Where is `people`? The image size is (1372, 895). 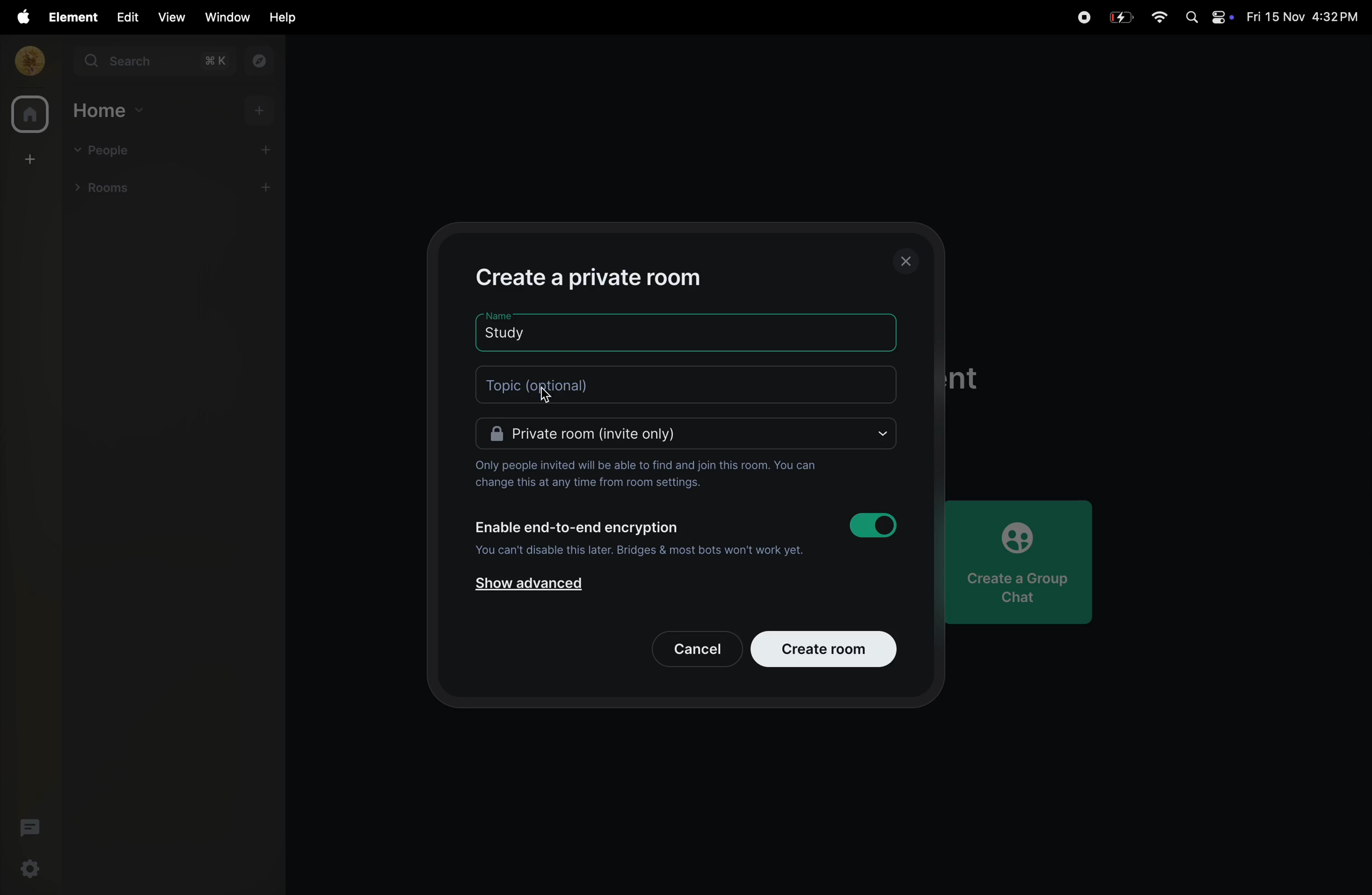
people is located at coordinates (105, 149).